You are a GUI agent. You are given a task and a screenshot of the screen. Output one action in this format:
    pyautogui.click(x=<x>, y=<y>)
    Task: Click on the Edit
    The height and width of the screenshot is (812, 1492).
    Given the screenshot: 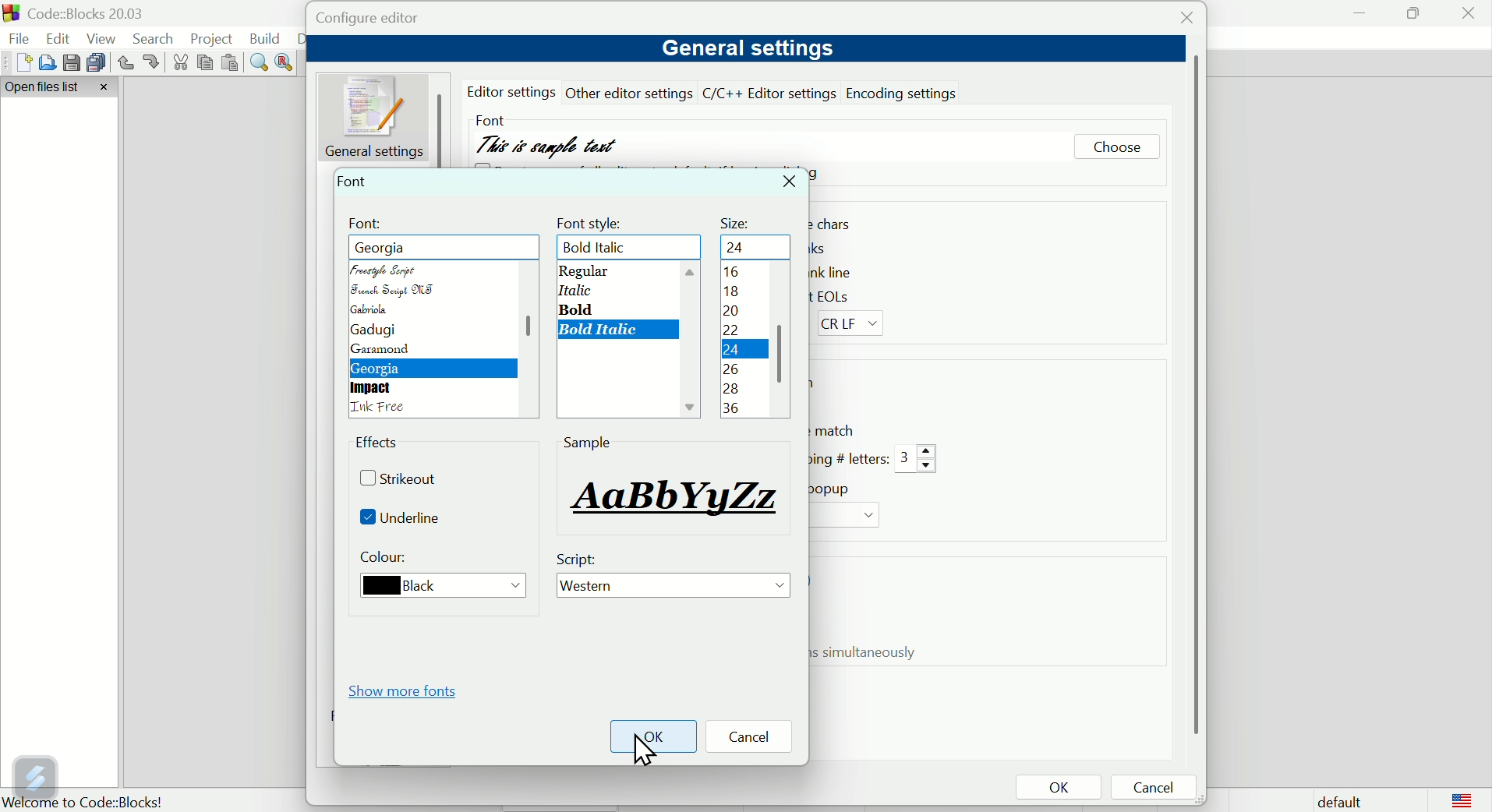 What is the action you would take?
    pyautogui.click(x=60, y=37)
    